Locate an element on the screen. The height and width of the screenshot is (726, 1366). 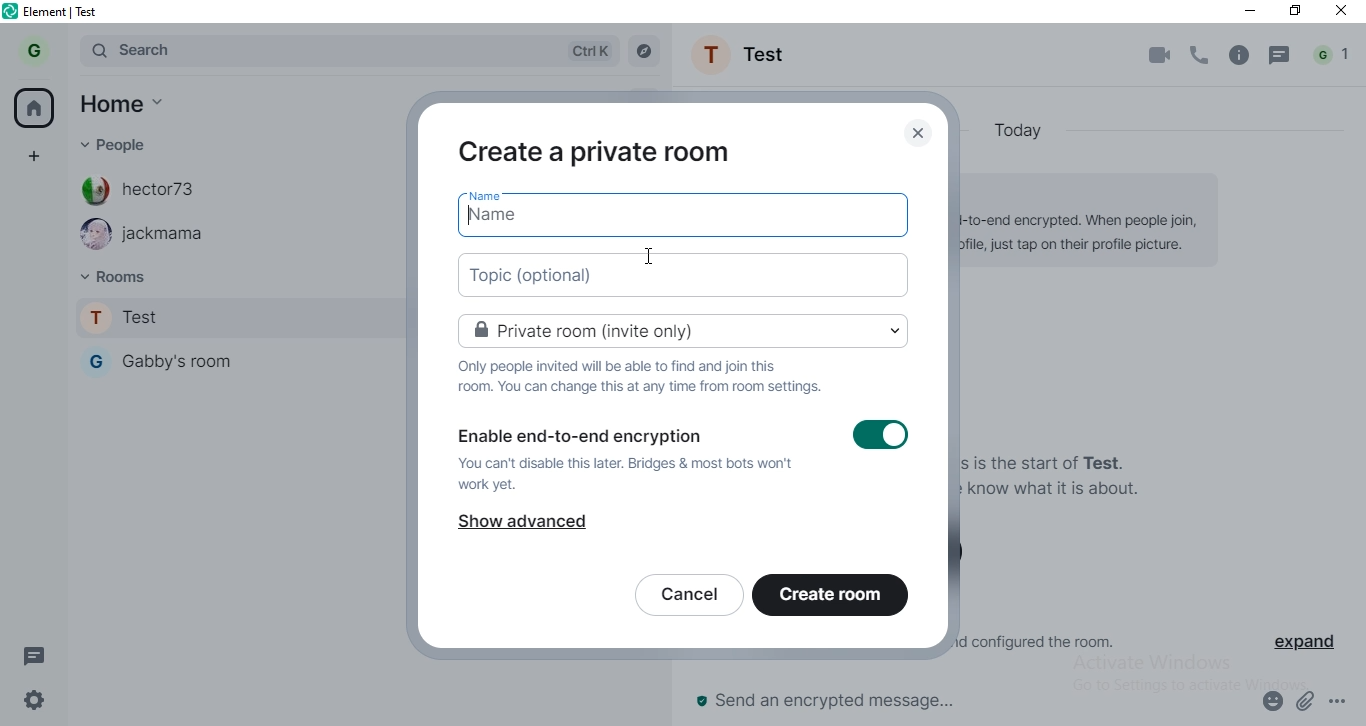
video call is located at coordinates (1162, 56).